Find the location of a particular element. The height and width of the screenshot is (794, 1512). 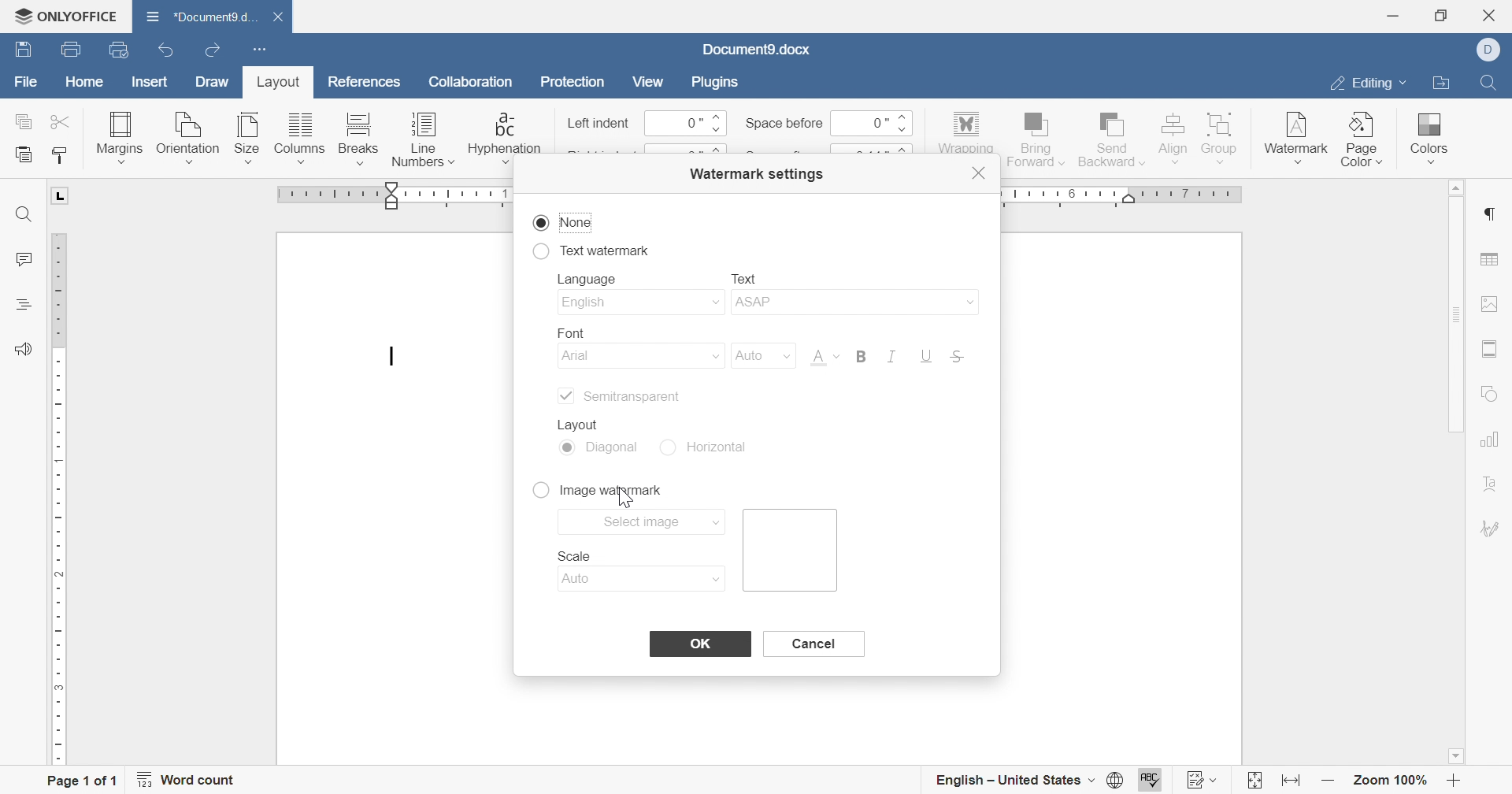

save is located at coordinates (20, 50).